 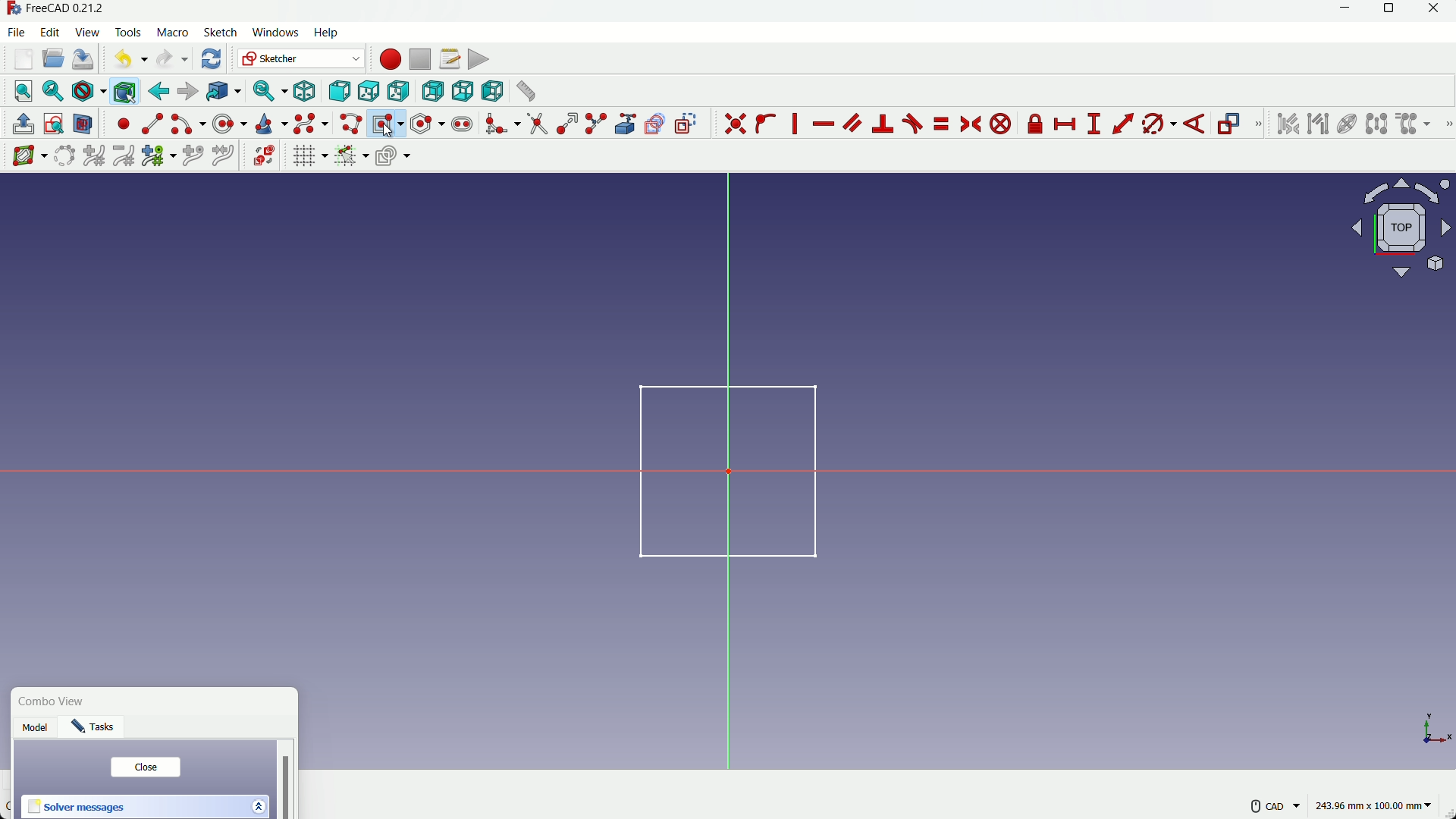 I want to click on create point, so click(x=124, y=124).